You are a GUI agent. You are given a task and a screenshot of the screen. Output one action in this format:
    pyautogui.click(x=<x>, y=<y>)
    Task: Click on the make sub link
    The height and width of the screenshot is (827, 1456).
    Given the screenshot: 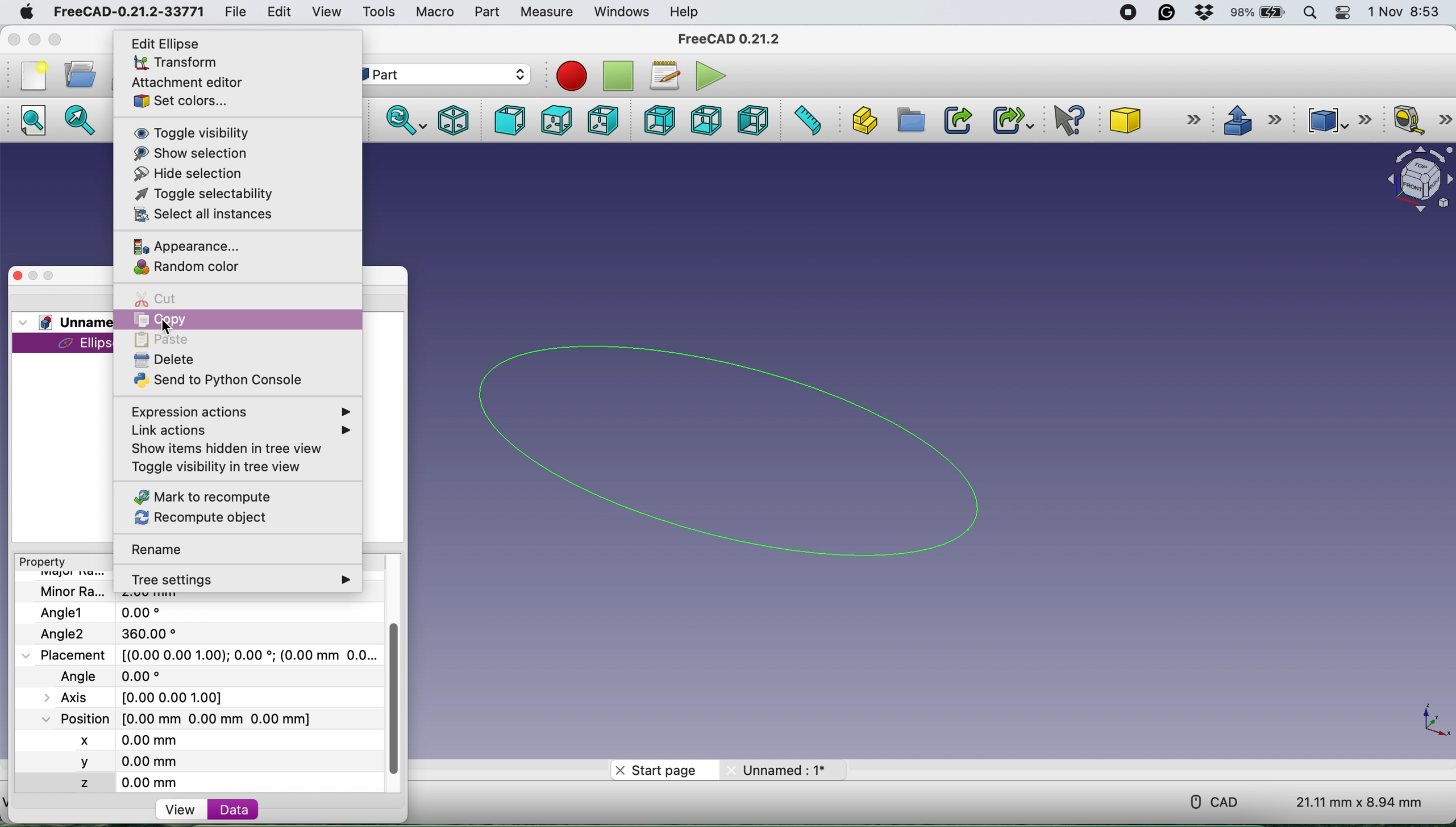 What is the action you would take?
    pyautogui.click(x=1009, y=121)
    